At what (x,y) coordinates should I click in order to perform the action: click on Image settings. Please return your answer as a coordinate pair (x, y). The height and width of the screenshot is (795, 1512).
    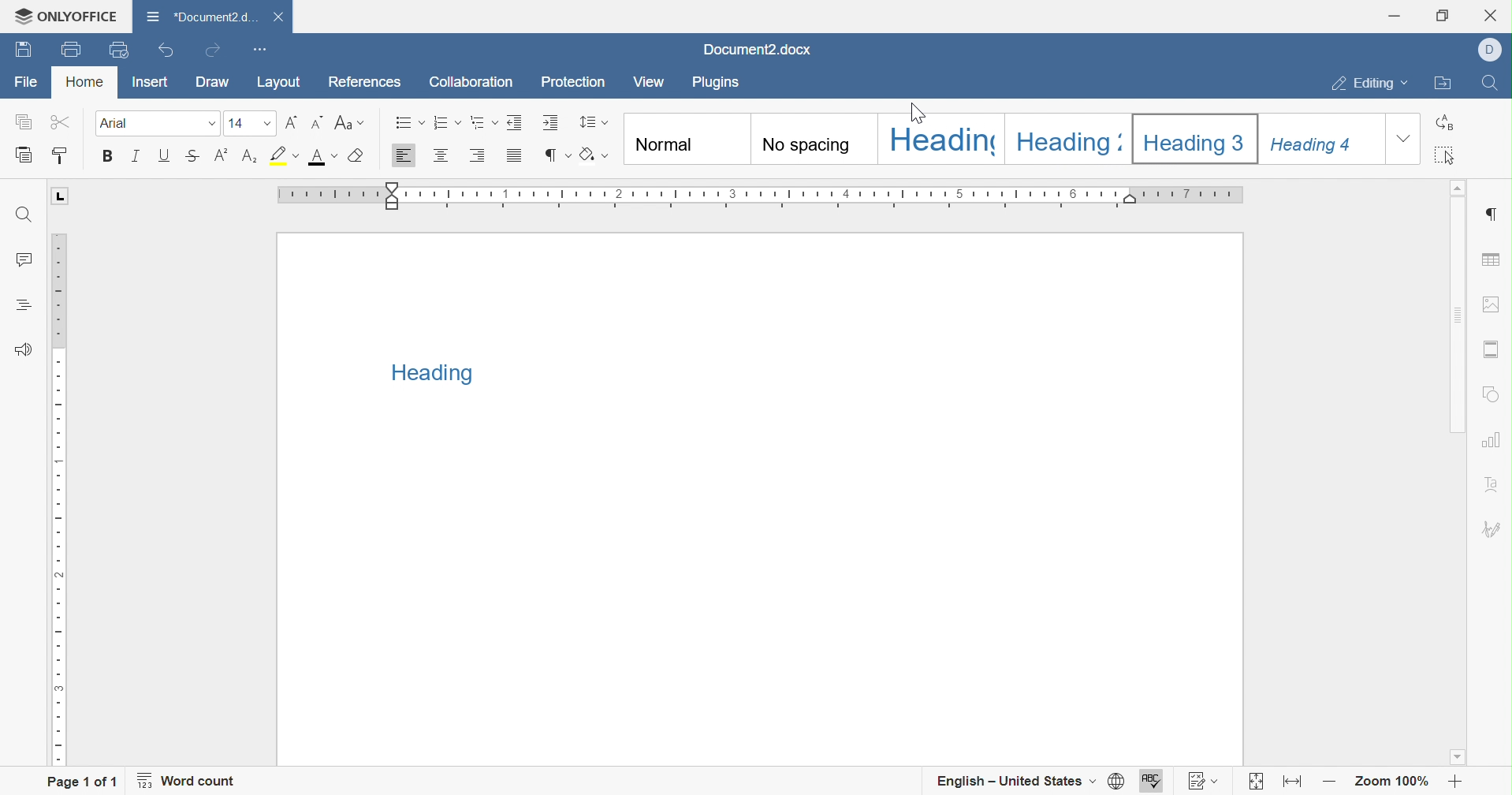
    Looking at the image, I should click on (1492, 304).